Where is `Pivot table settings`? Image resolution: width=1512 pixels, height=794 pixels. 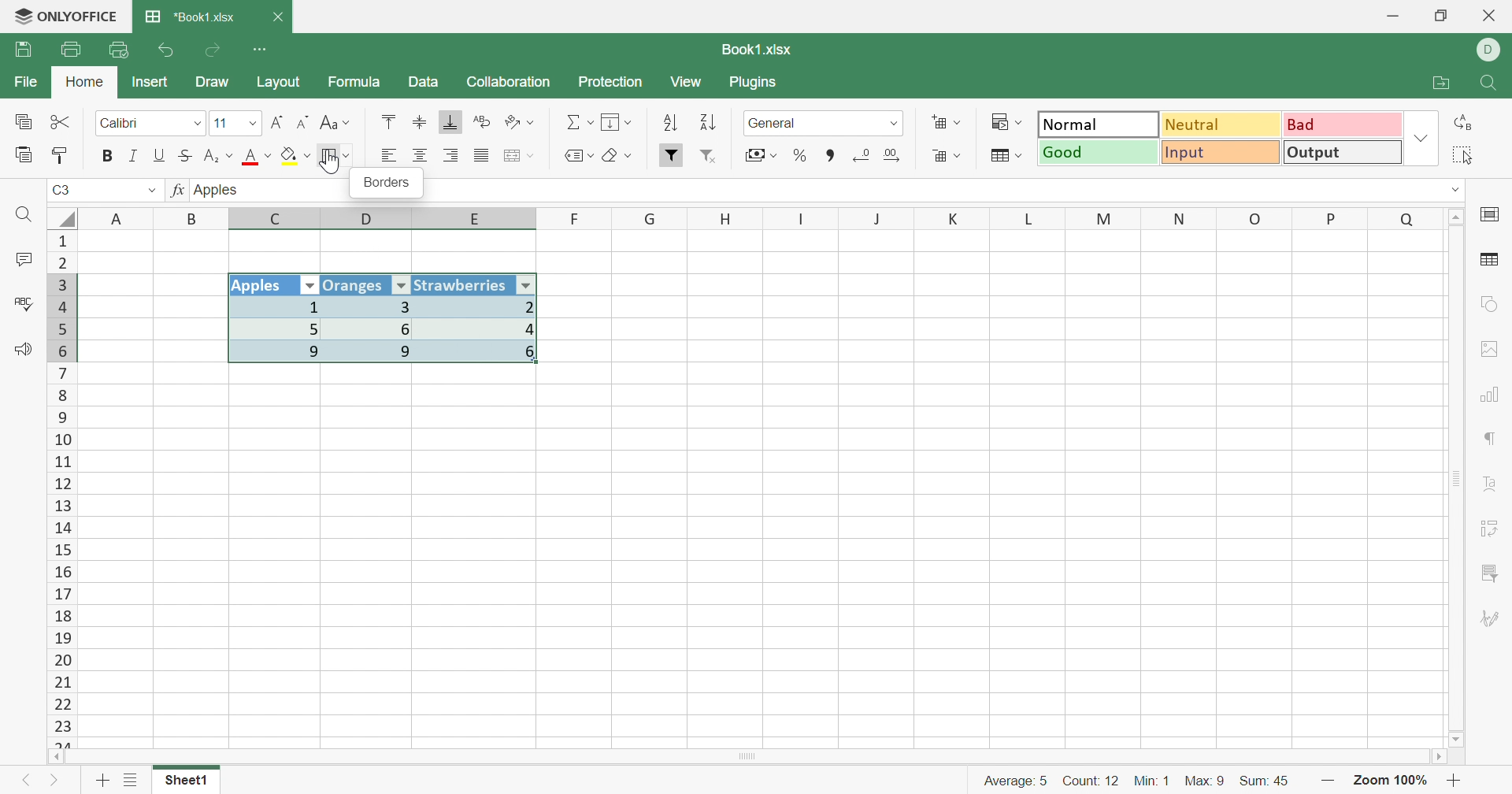 Pivot table settings is located at coordinates (1496, 525).